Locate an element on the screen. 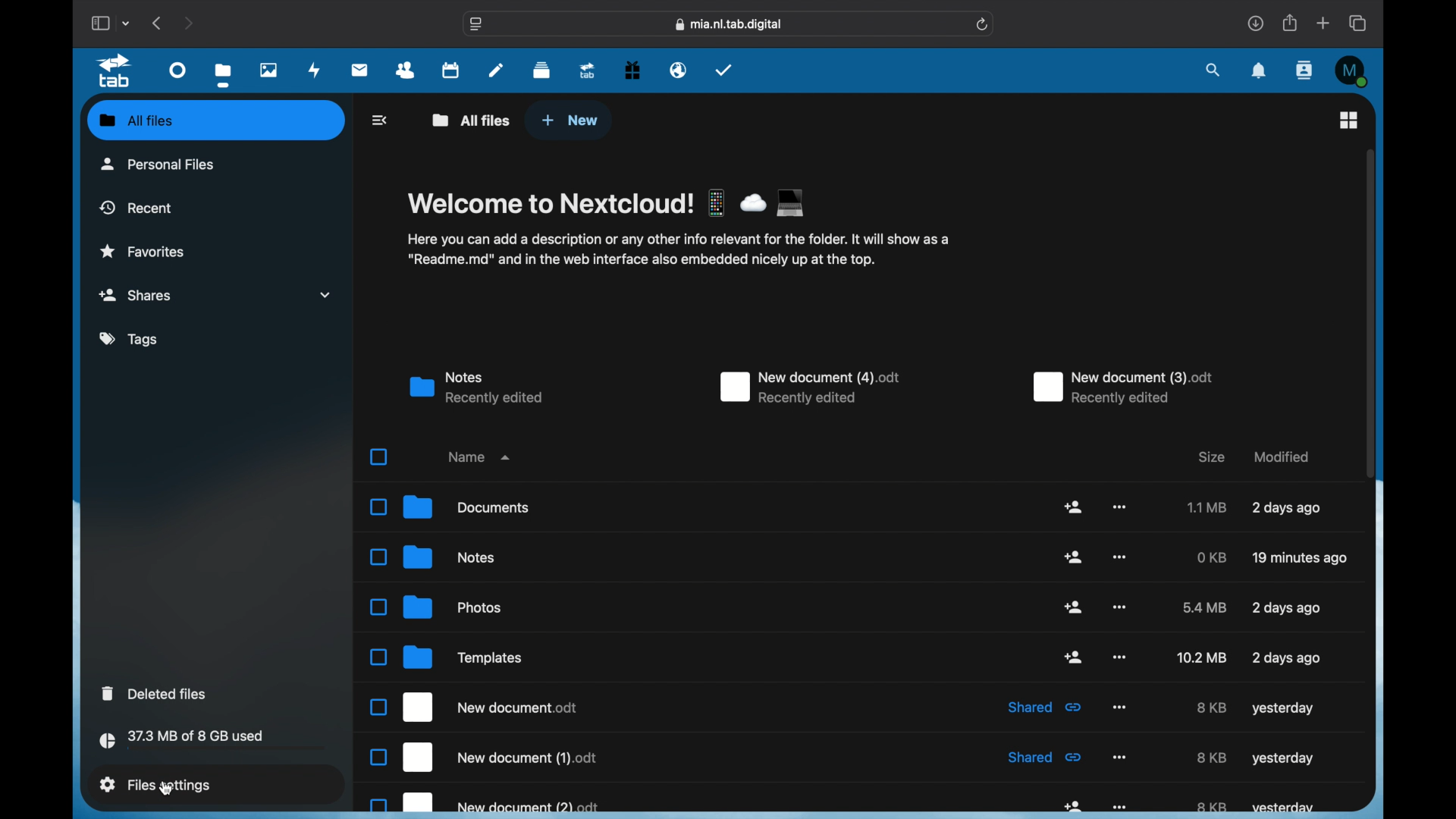 The image size is (1456, 819). new tab is located at coordinates (1323, 23).